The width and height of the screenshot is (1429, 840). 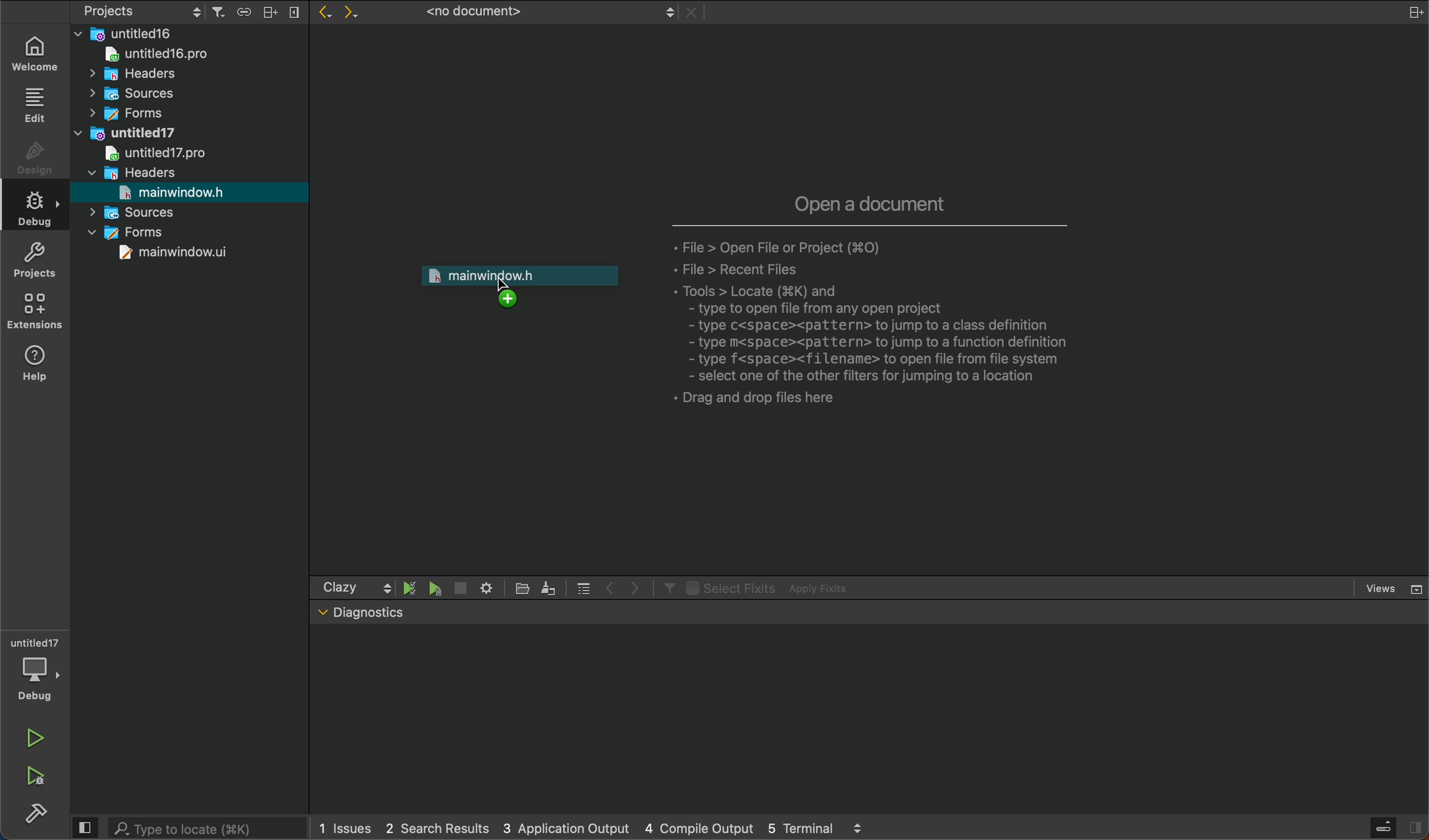 What do you see at coordinates (342, 828) in the screenshot?
I see `1 Issues` at bounding box center [342, 828].